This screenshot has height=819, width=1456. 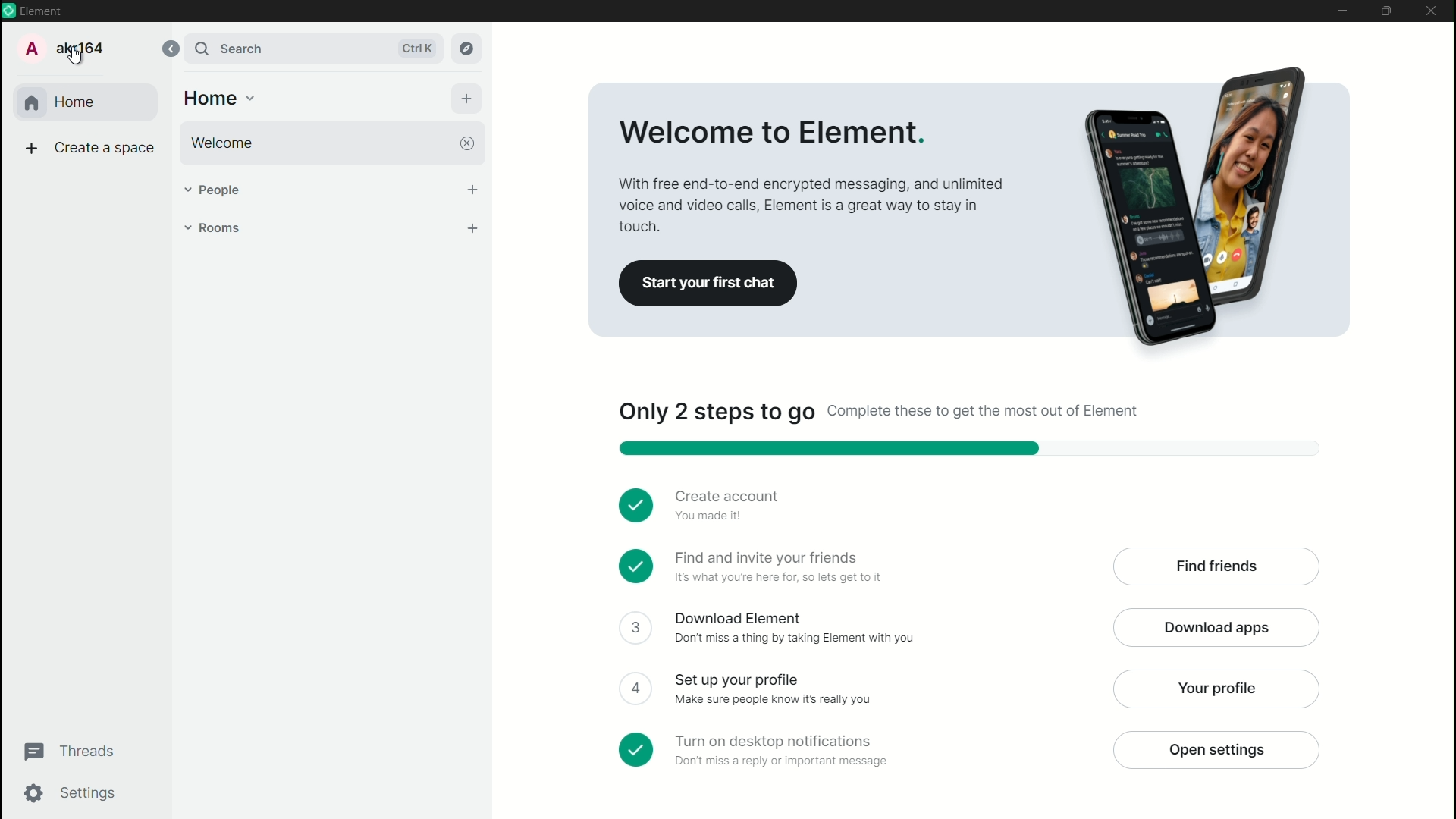 What do you see at coordinates (786, 749) in the screenshot?
I see `turn on desktop notifications don't miss a reply or important message` at bounding box center [786, 749].